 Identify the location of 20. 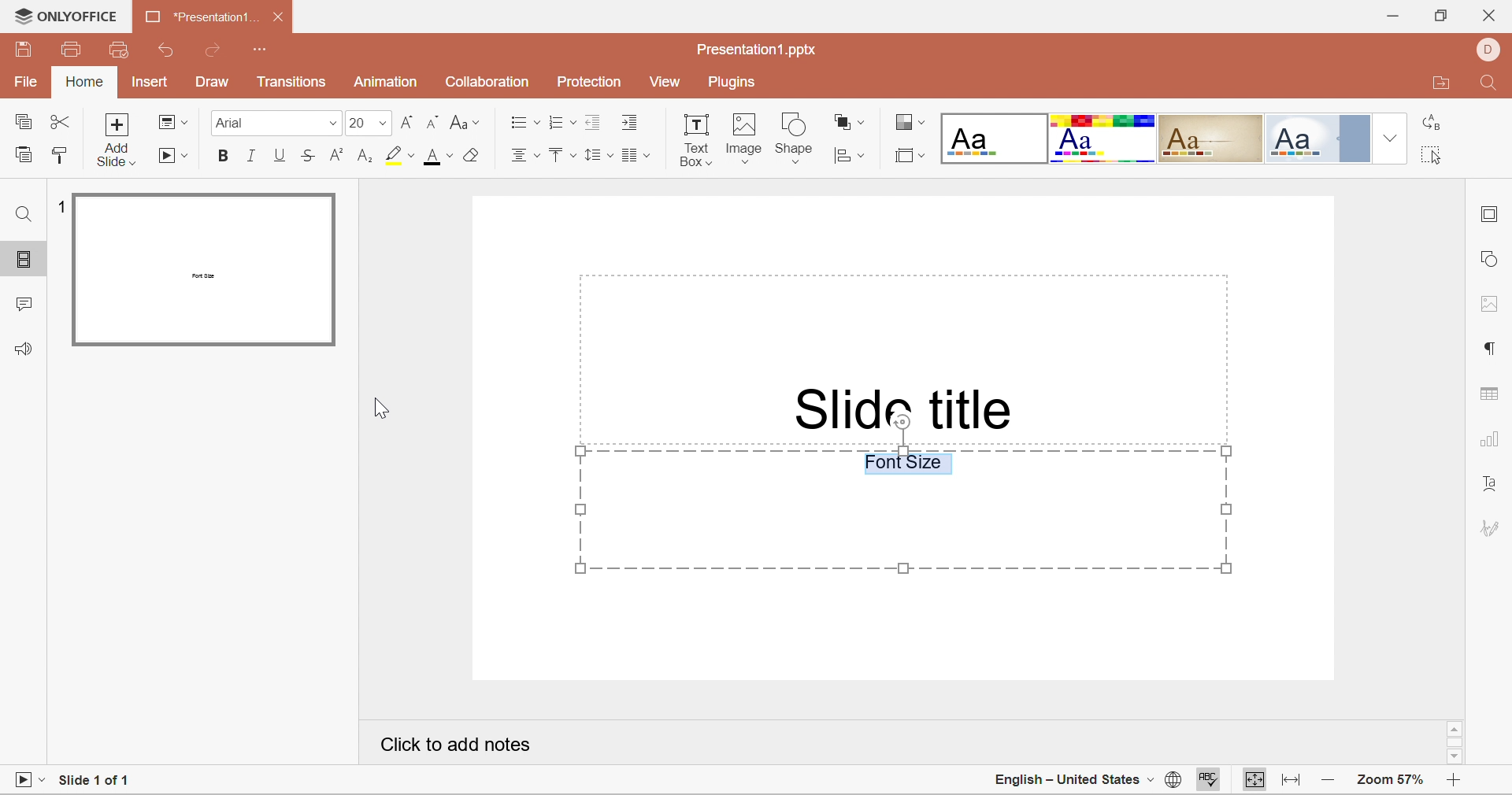
(358, 126).